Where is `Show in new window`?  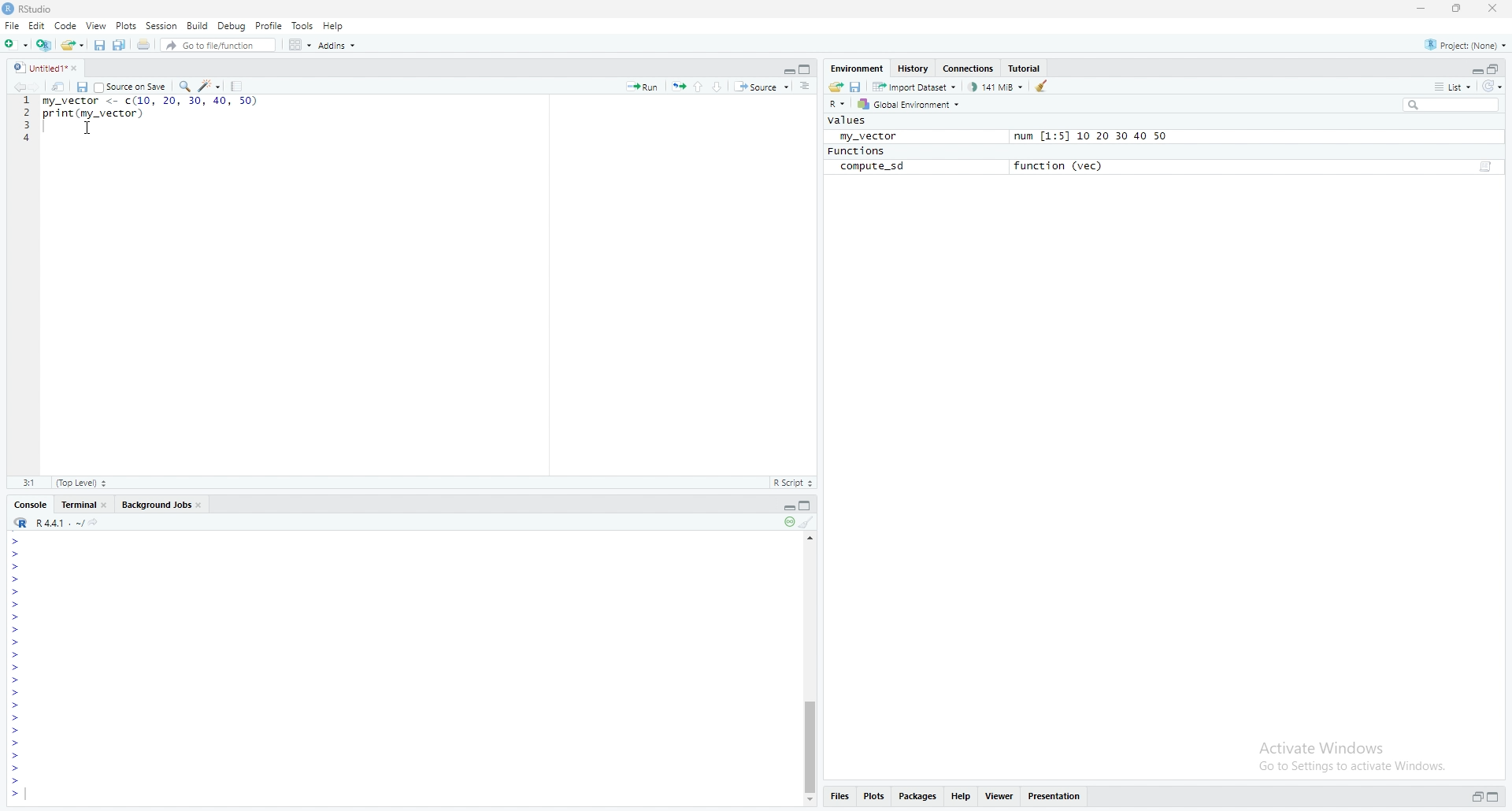
Show in new window is located at coordinates (61, 86).